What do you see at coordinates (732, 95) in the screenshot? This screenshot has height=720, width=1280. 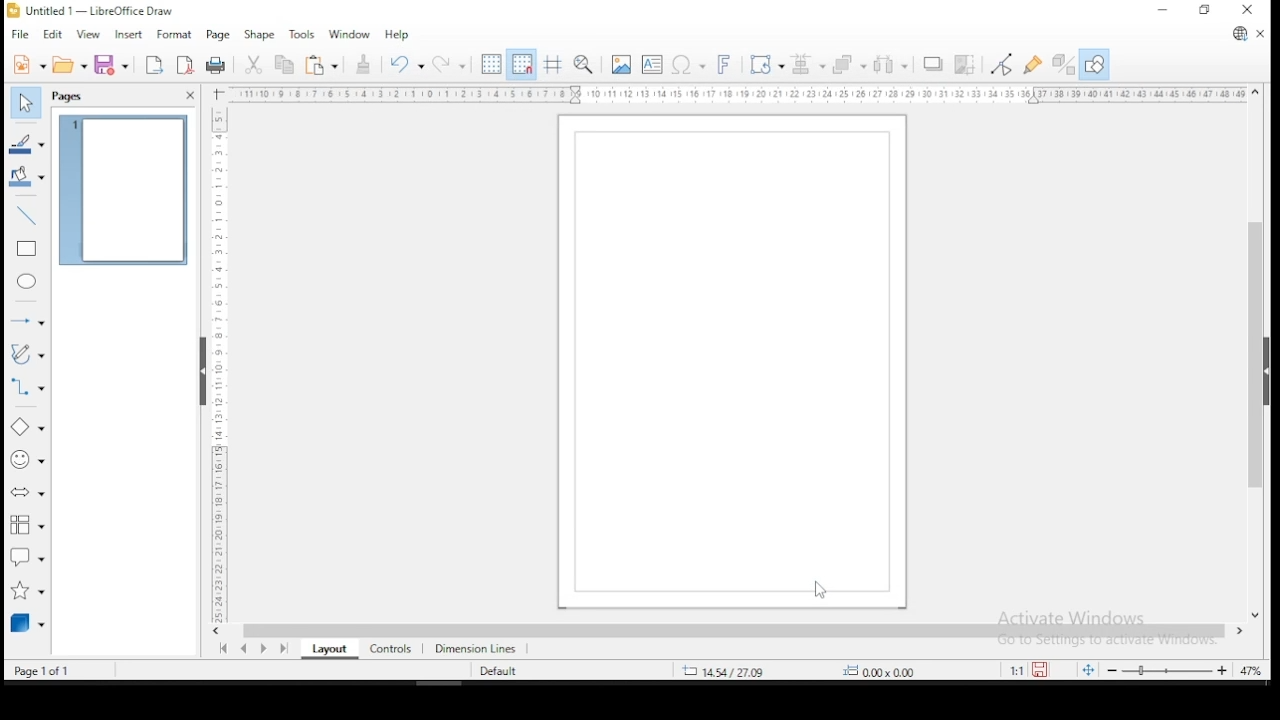 I see `scale` at bounding box center [732, 95].